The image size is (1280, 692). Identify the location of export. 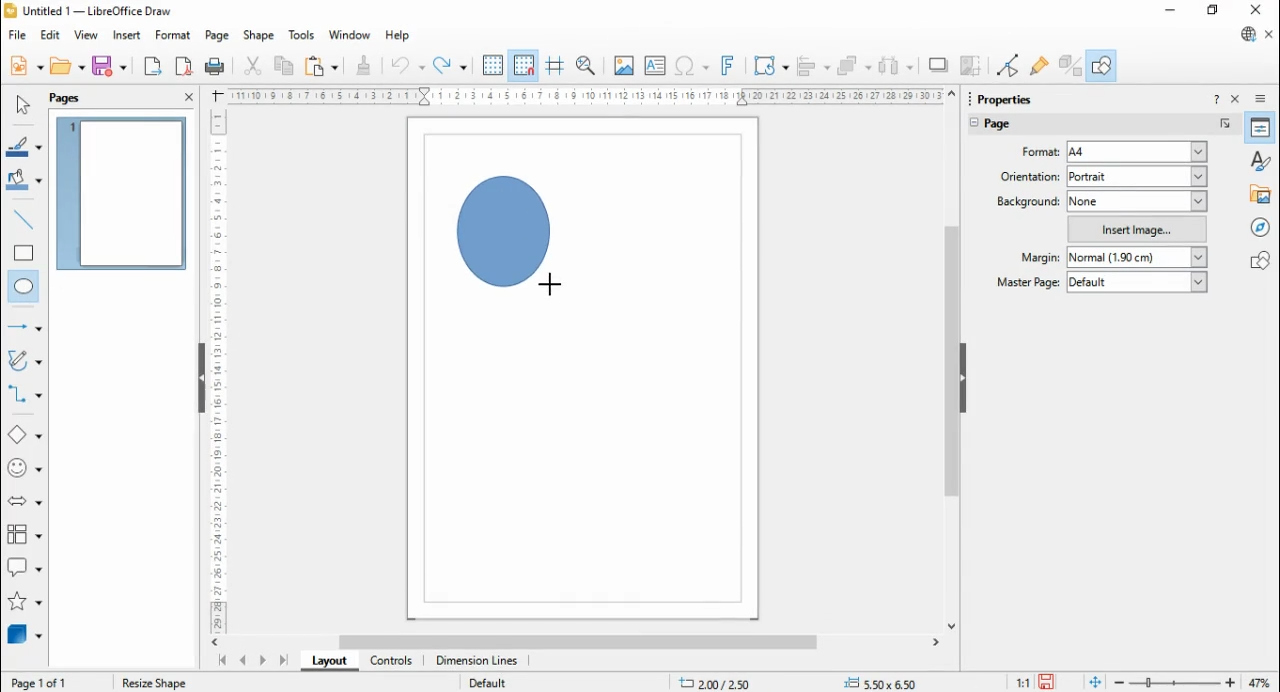
(152, 66).